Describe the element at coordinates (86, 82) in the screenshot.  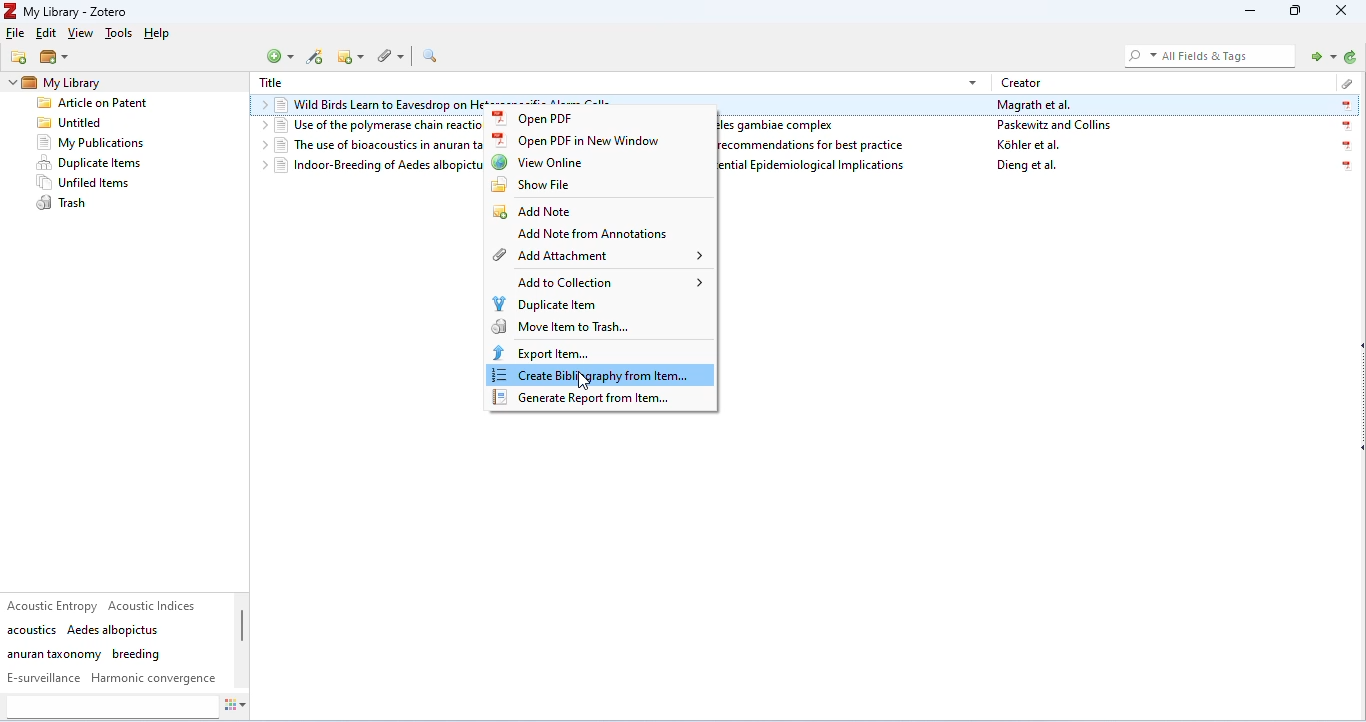
I see `my library` at that location.